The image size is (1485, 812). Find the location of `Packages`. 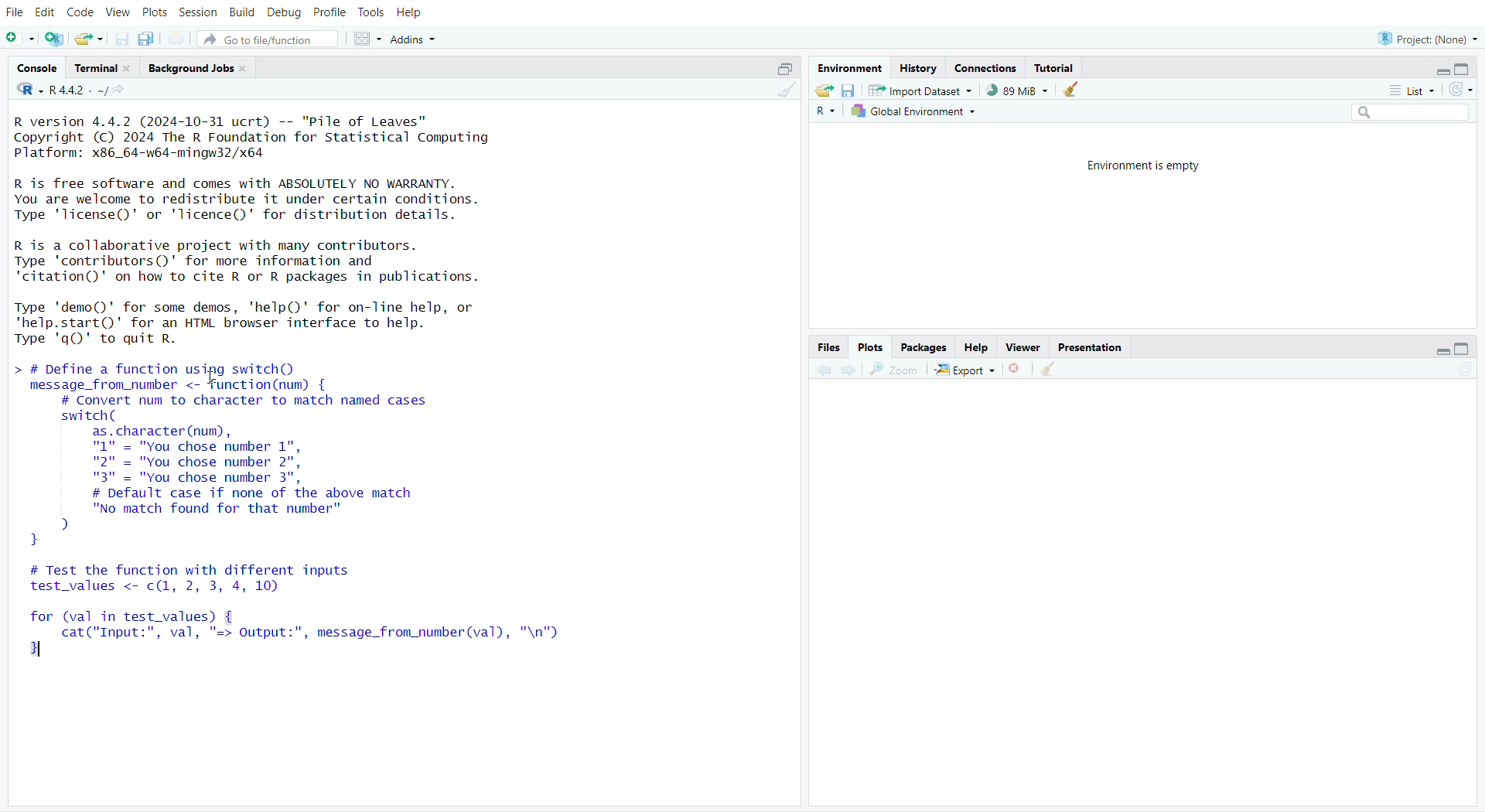

Packages is located at coordinates (925, 345).